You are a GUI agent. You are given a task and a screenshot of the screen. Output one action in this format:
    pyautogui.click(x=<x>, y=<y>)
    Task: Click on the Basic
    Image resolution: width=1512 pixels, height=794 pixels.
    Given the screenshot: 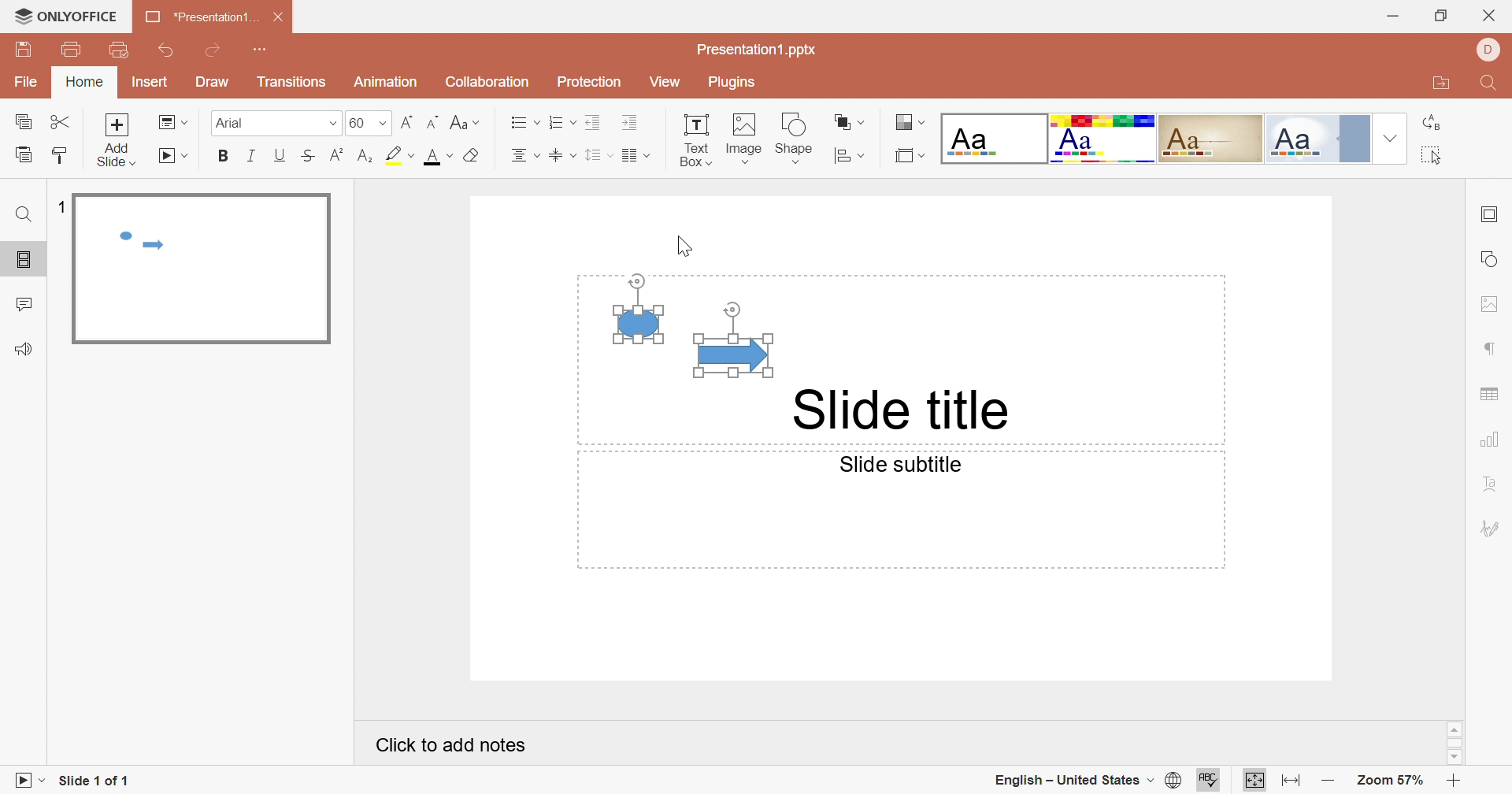 What is the action you would take?
    pyautogui.click(x=1104, y=140)
    